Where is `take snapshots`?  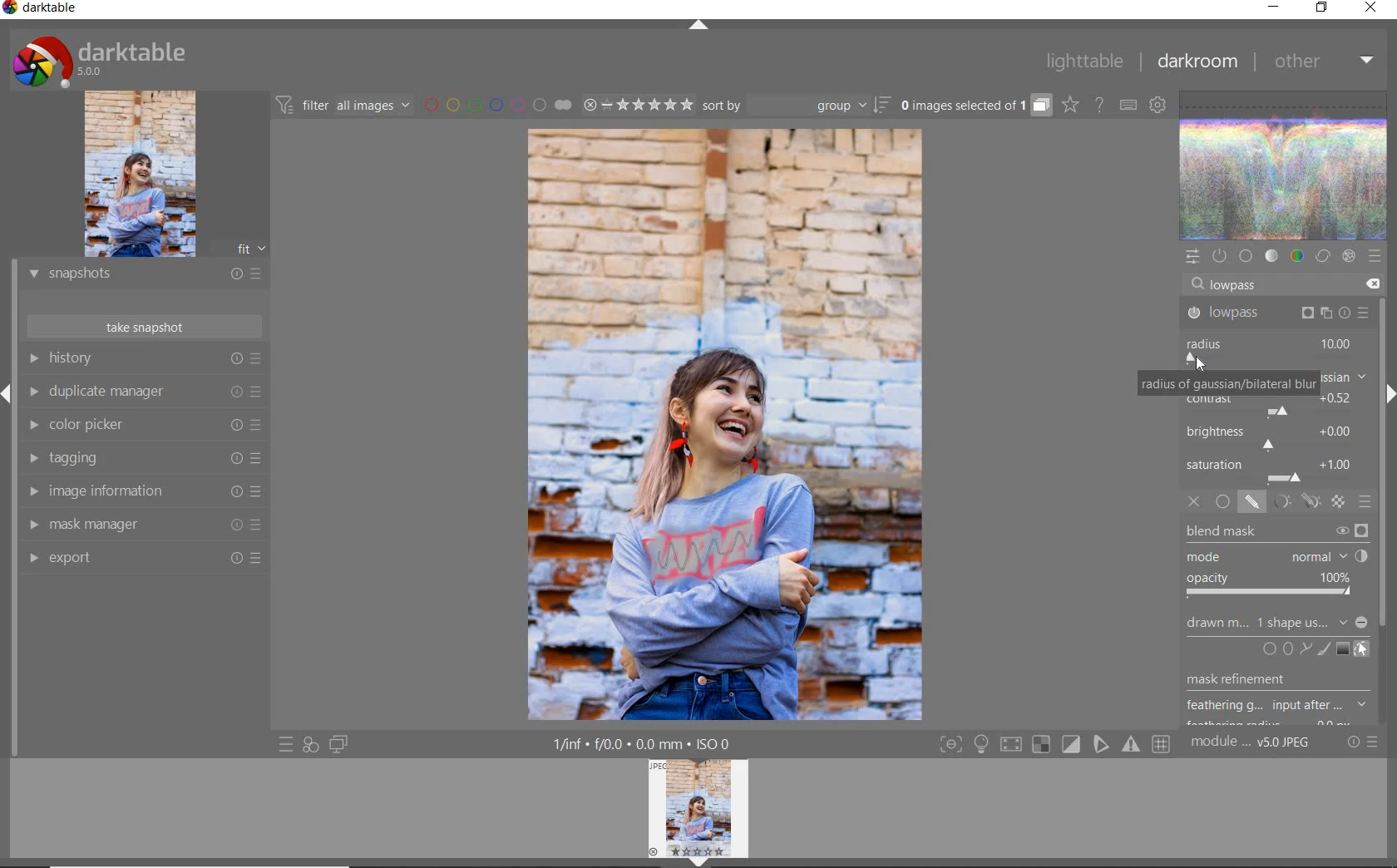
take snapshots is located at coordinates (143, 328).